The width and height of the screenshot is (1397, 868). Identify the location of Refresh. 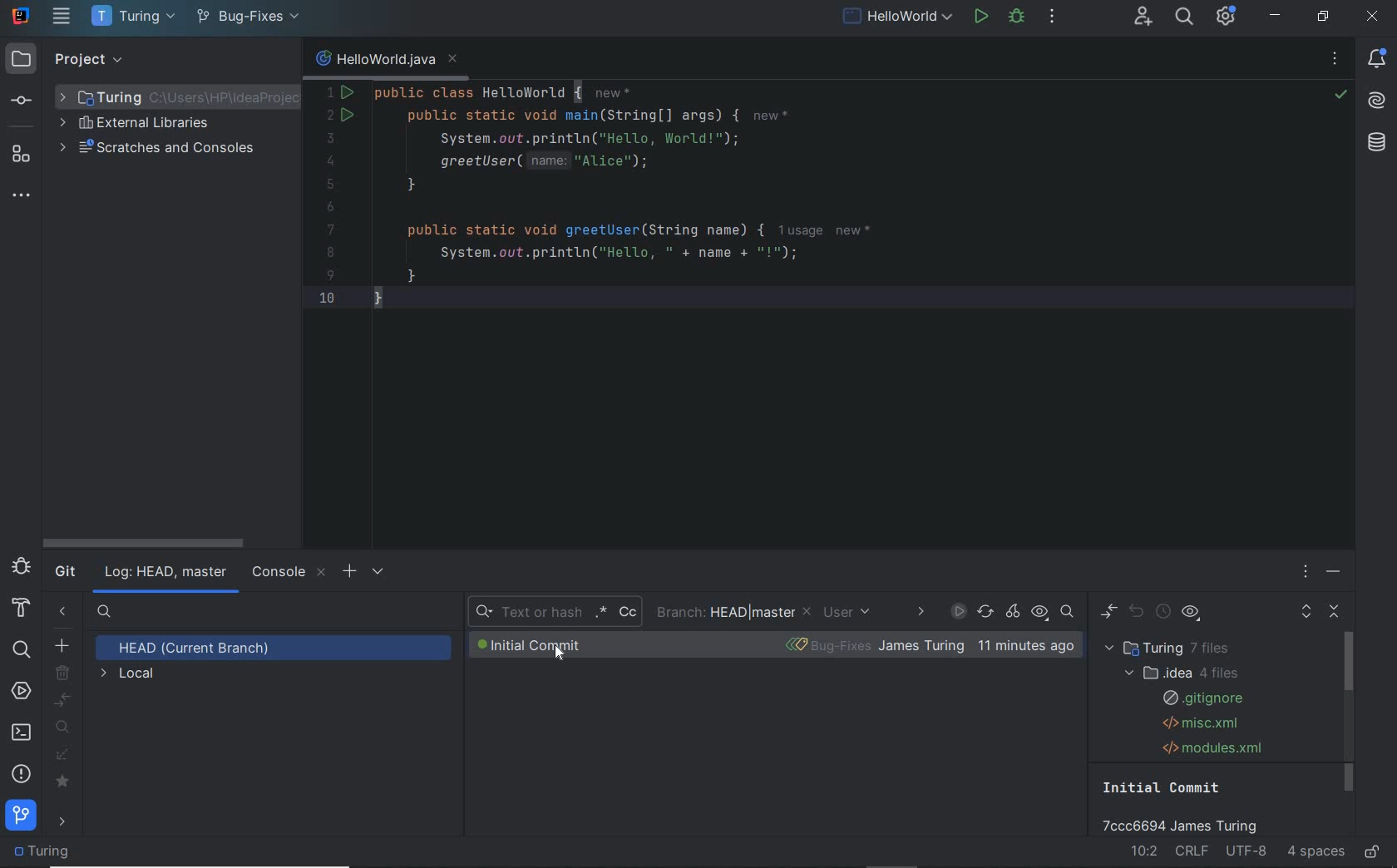
(985, 613).